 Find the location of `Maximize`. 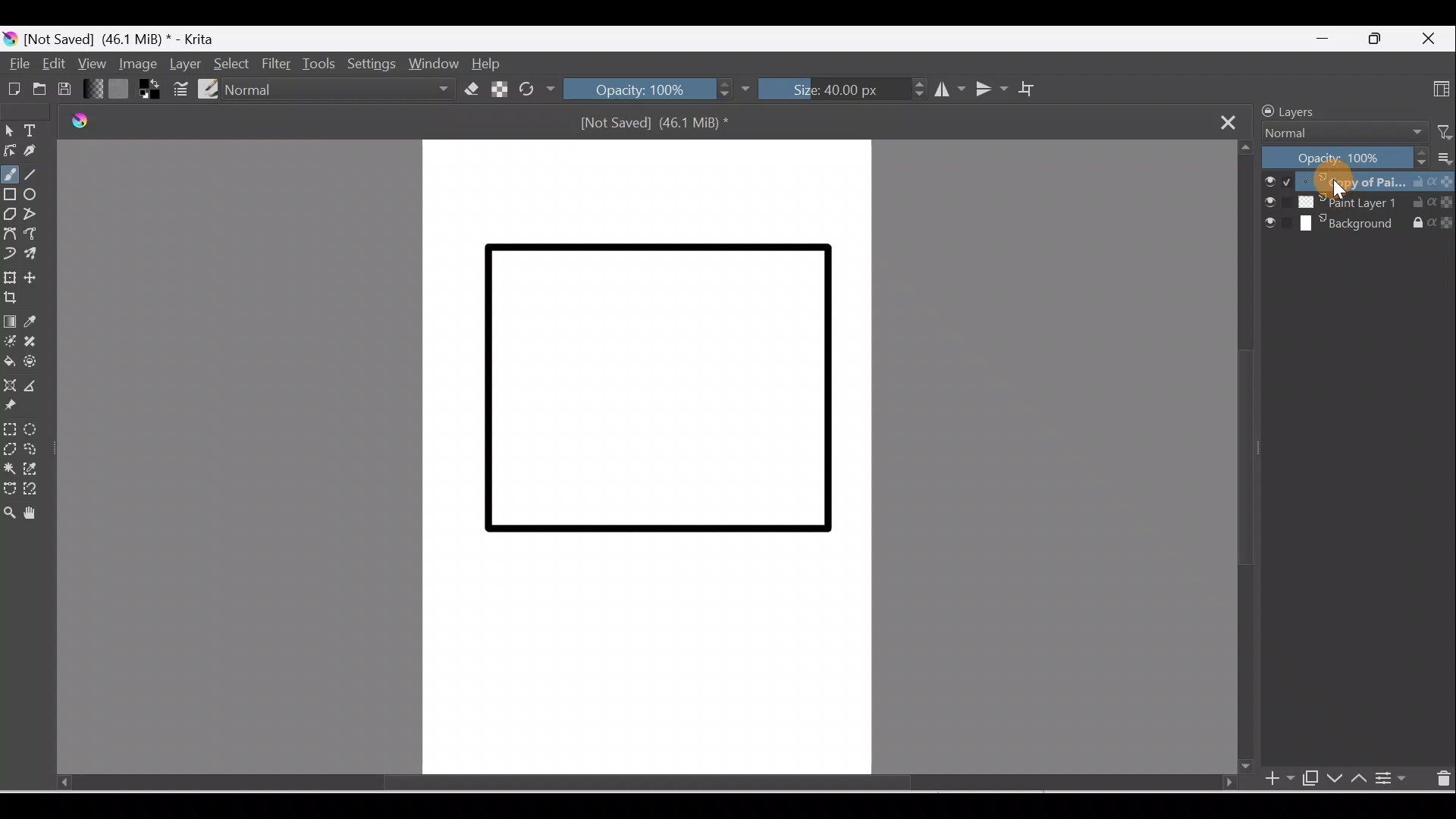

Maximize is located at coordinates (1375, 39).